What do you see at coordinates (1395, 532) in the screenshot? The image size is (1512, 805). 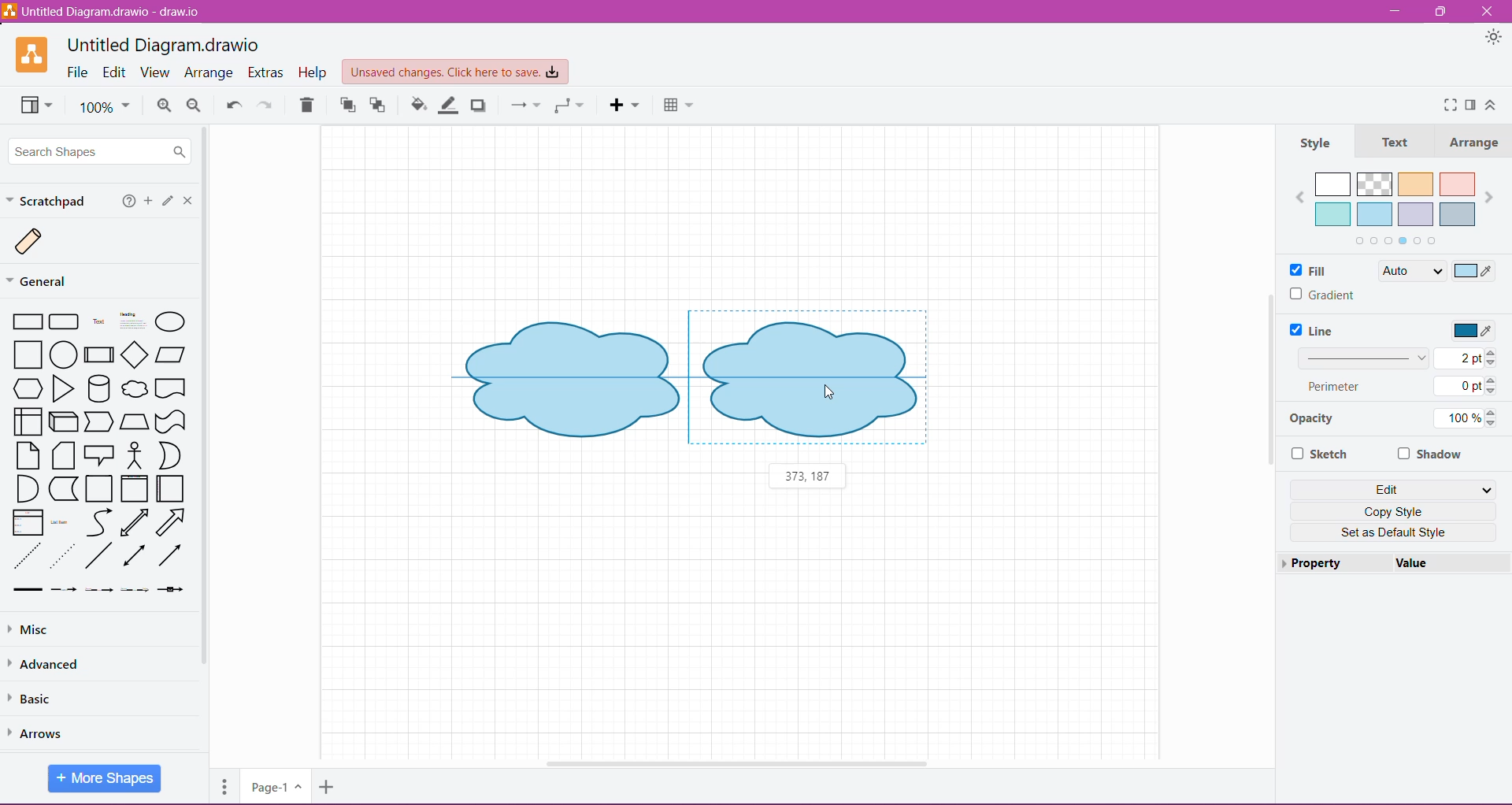 I see `Set as Default Style` at bounding box center [1395, 532].